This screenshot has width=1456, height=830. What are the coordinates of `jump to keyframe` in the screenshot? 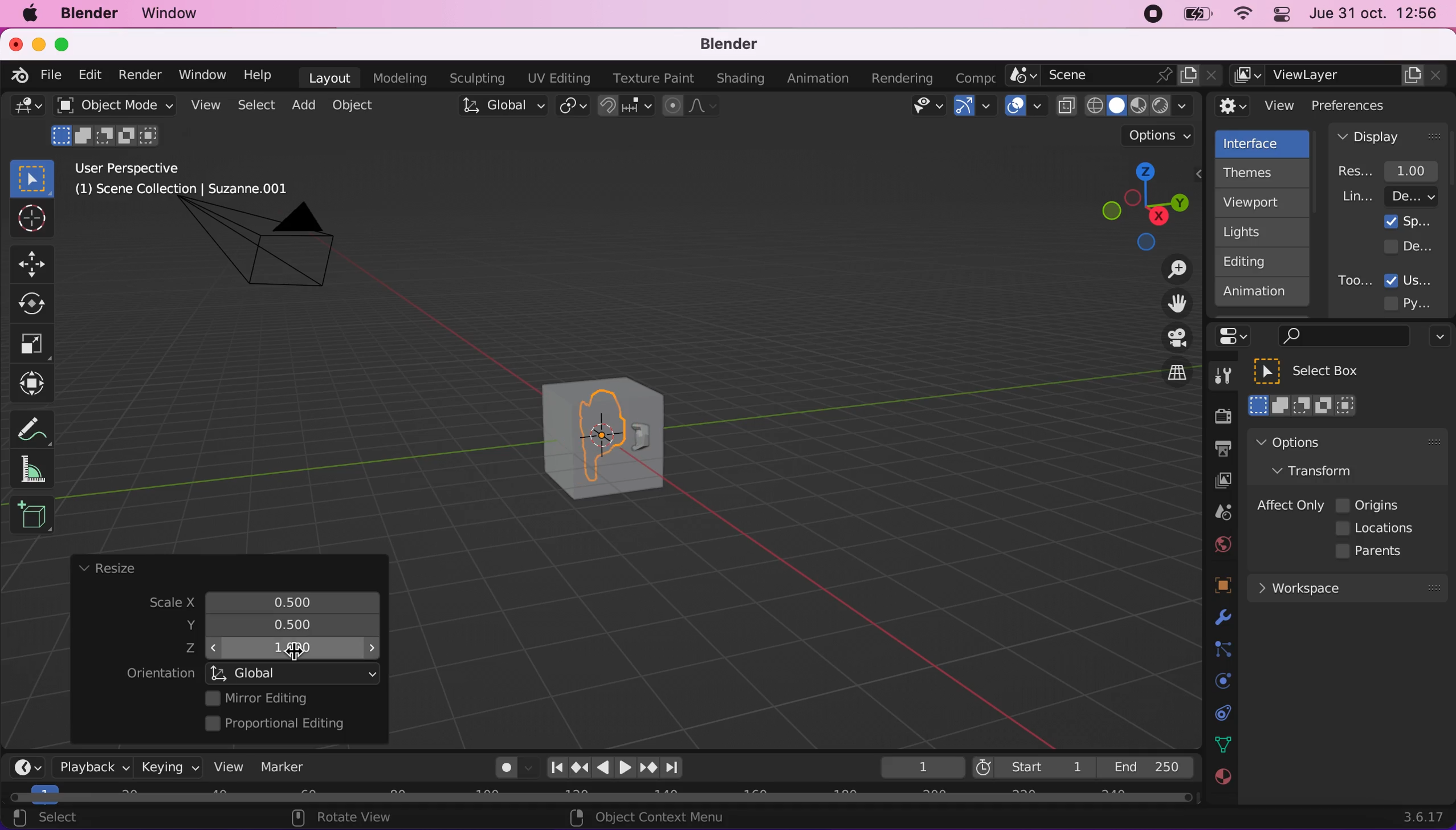 It's located at (649, 770).